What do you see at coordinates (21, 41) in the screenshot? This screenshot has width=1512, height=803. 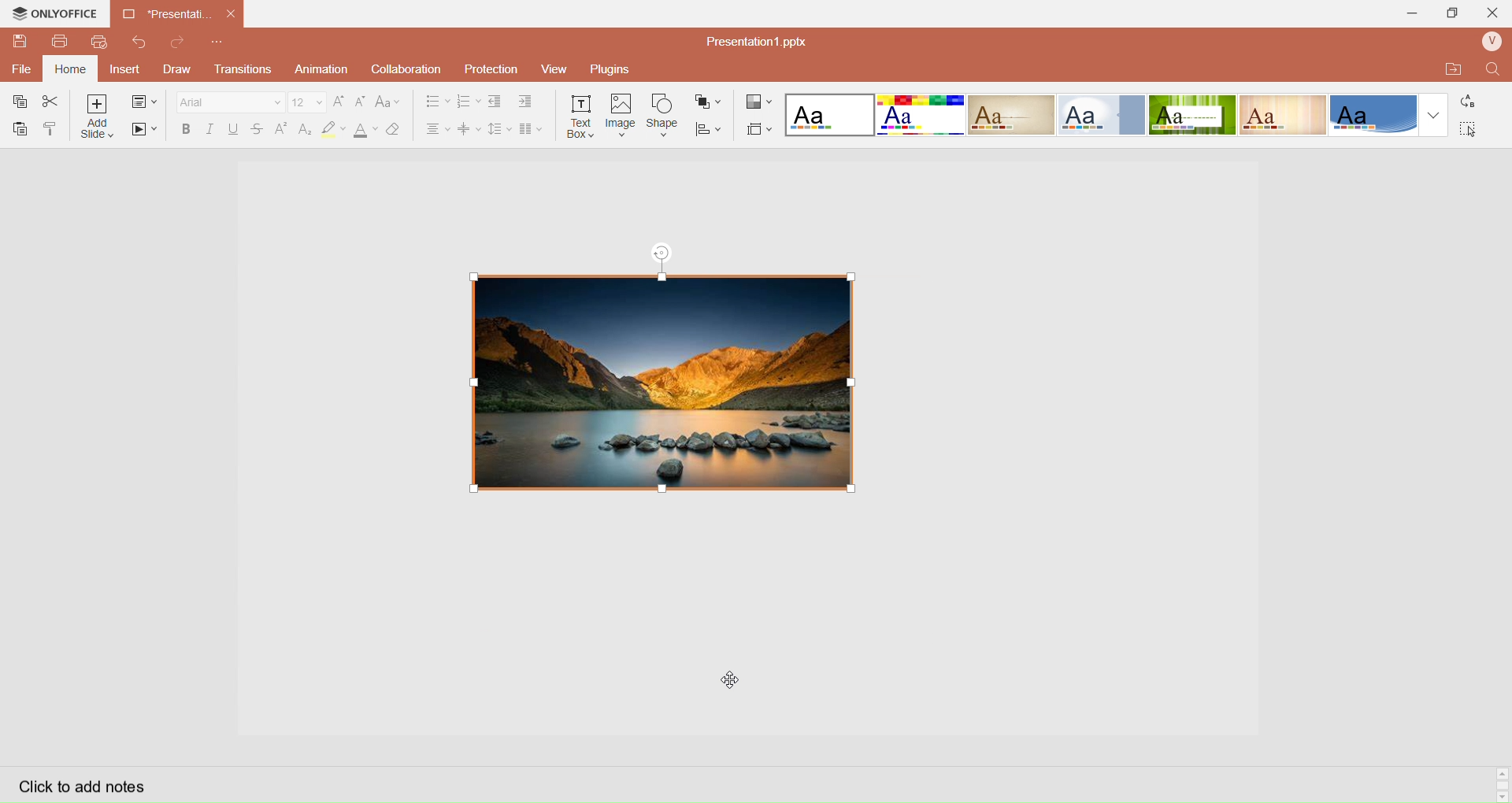 I see `QuickSave` at bounding box center [21, 41].